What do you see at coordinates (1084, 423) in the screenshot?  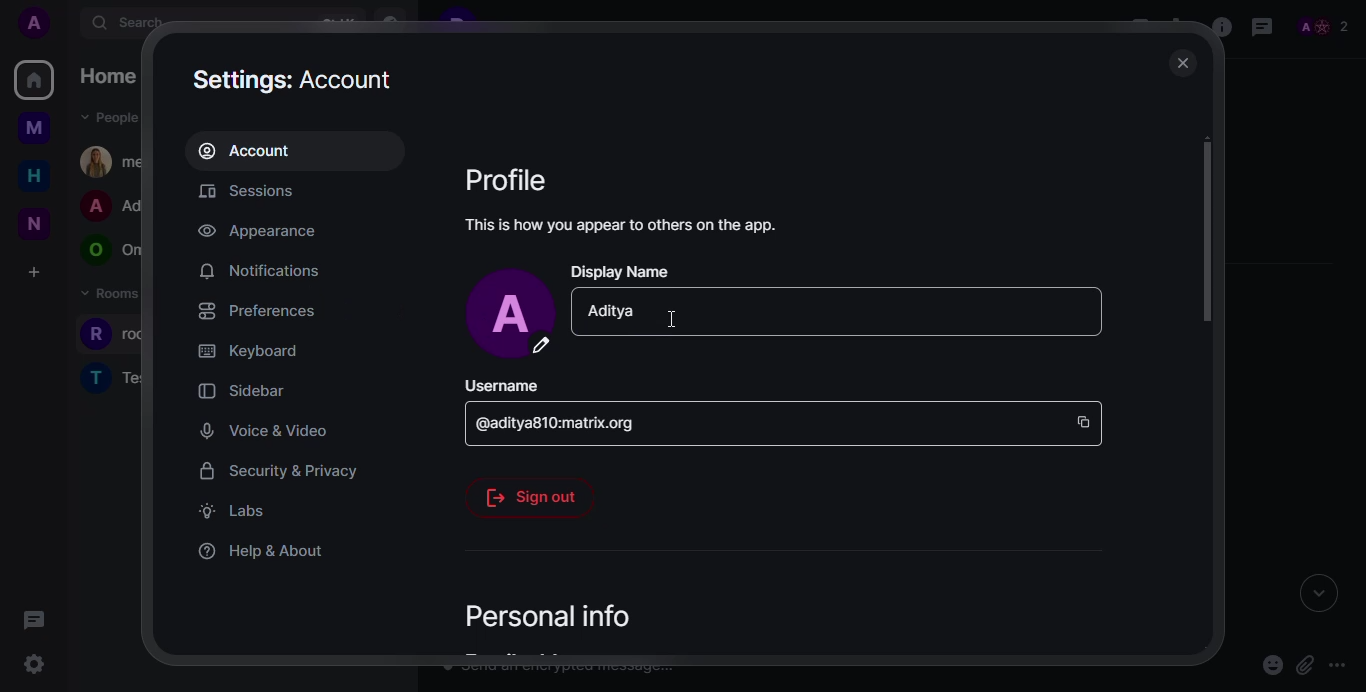 I see `copy` at bounding box center [1084, 423].